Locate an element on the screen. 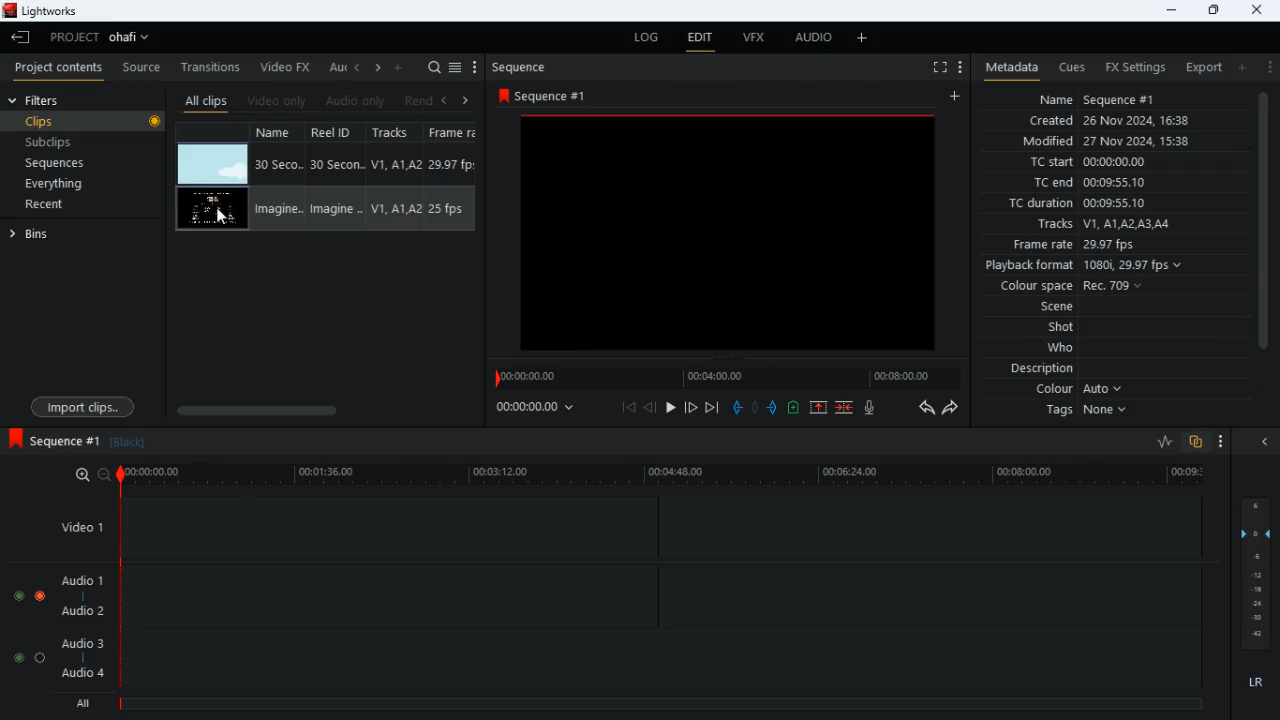  fullscreen is located at coordinates (937, 65).